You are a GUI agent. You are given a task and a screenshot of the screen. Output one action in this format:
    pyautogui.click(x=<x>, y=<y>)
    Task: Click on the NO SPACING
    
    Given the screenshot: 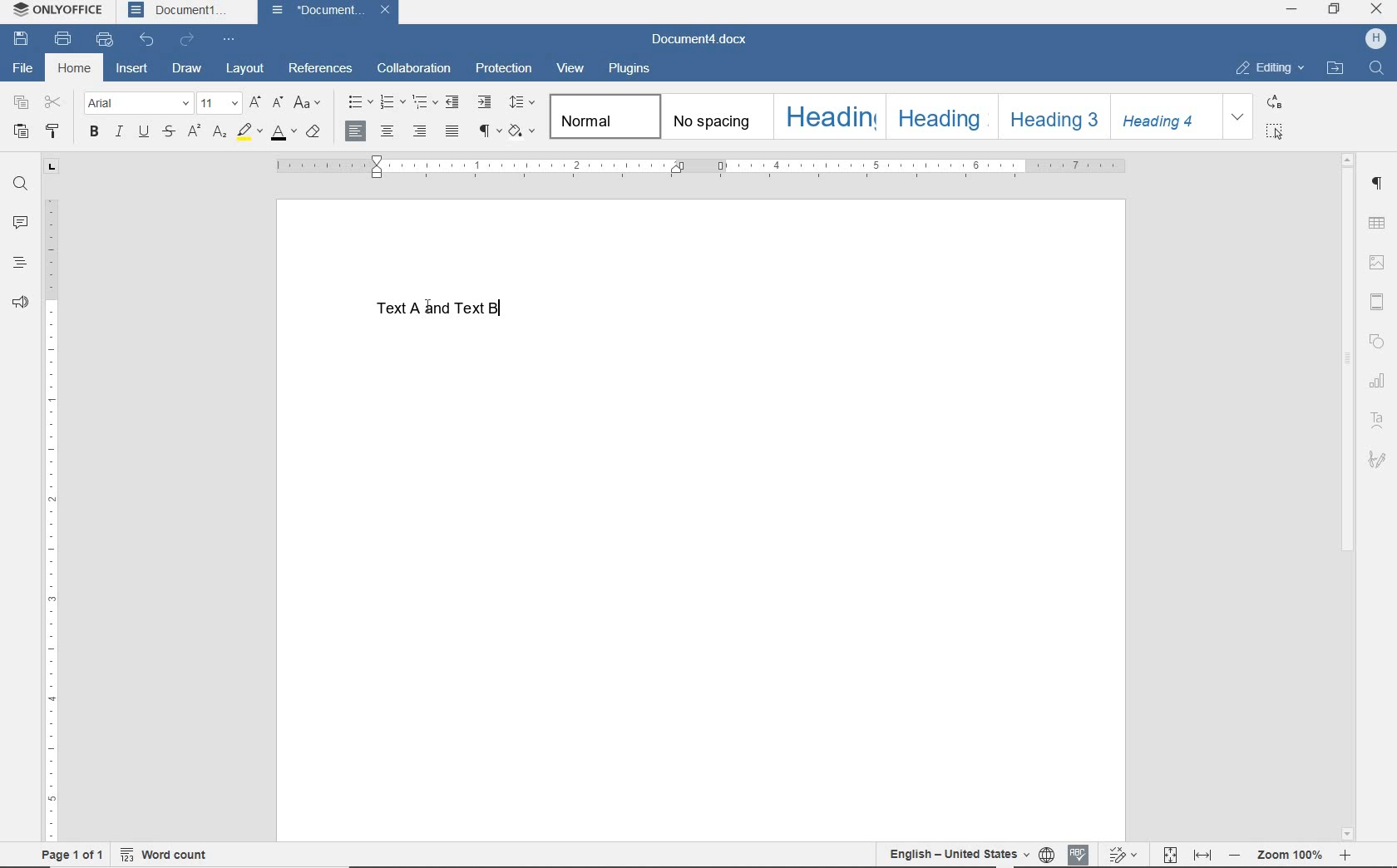 What is the action you would take?
    pyautogui.click(x=714, y=116)
    